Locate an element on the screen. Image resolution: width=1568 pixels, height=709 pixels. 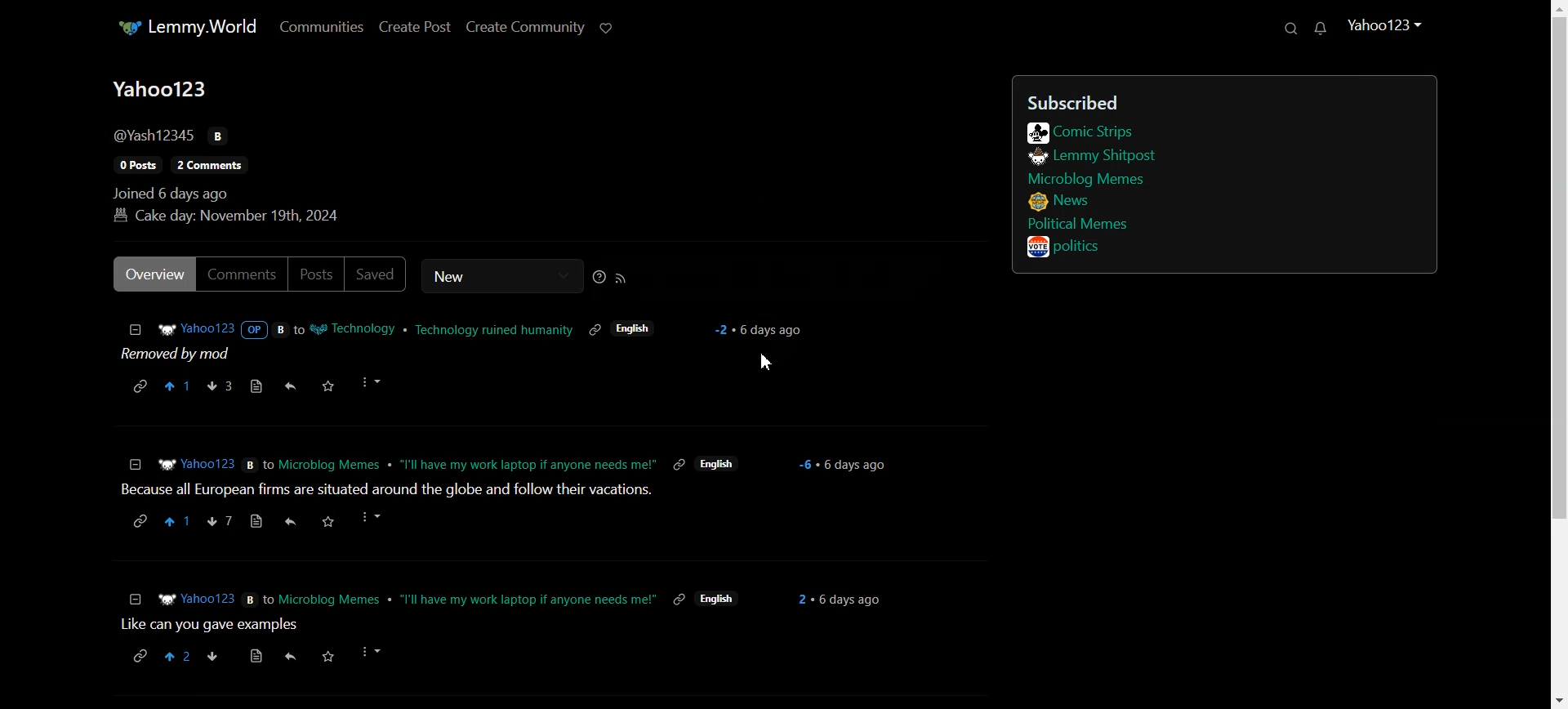
6 days ago is located at coordinates (853, 464).